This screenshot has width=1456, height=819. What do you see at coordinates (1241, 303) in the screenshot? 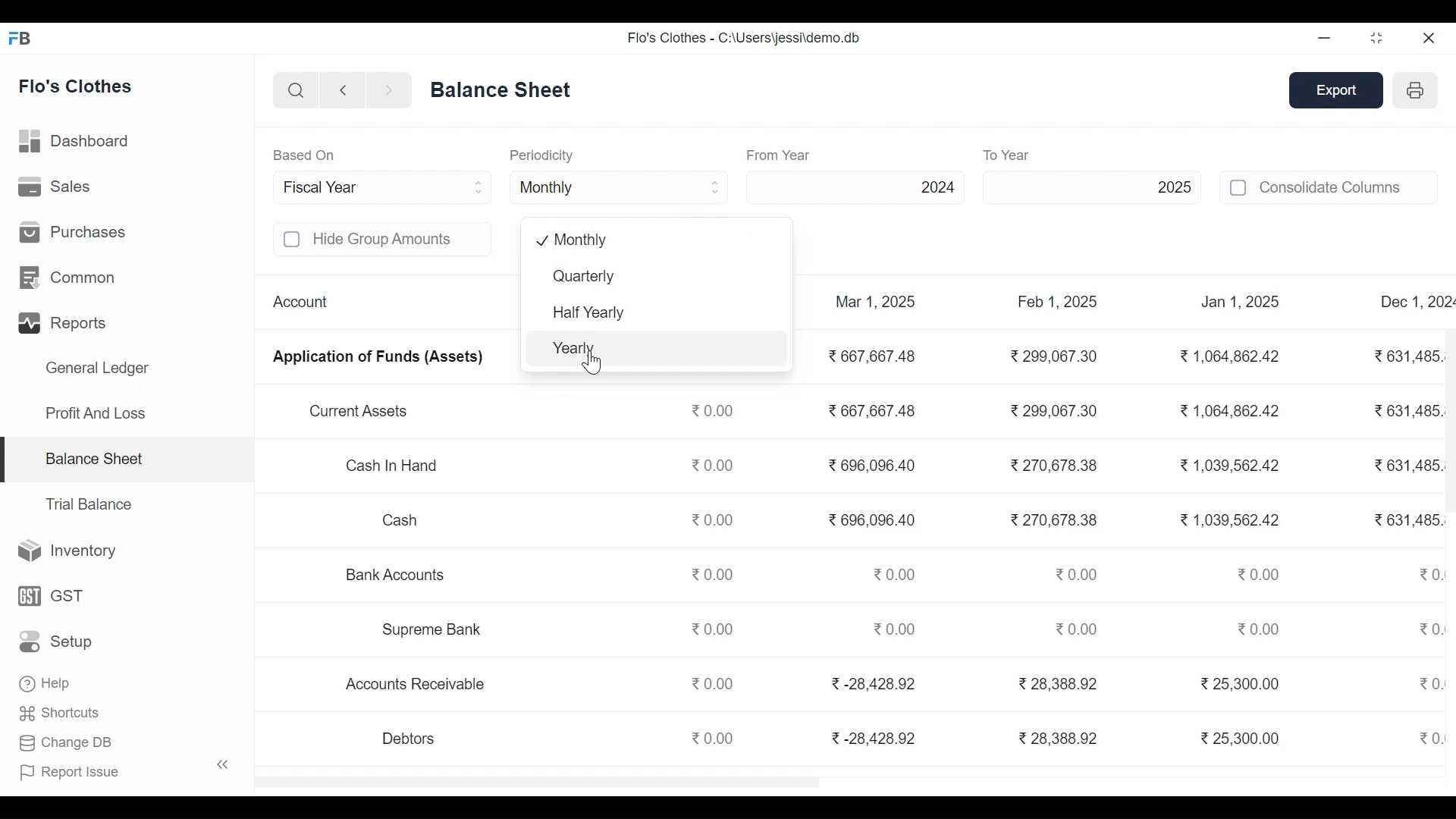
I see `Jan 1, 2025` at bounding box center [1241, 303].